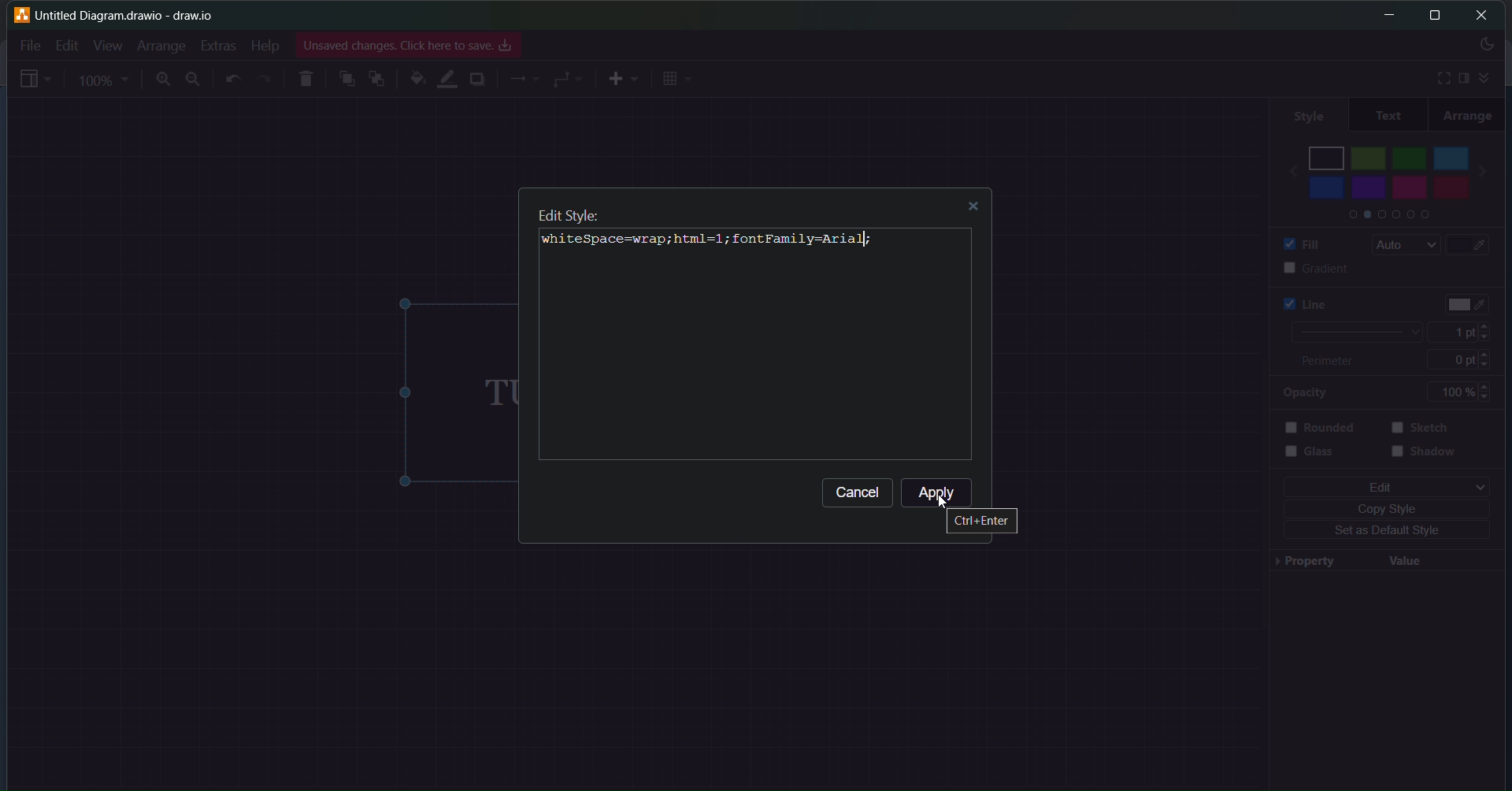 Image resolution: width=1512 pixels, height=791 pixels. I want to click on Arrange, so click(161, 45).